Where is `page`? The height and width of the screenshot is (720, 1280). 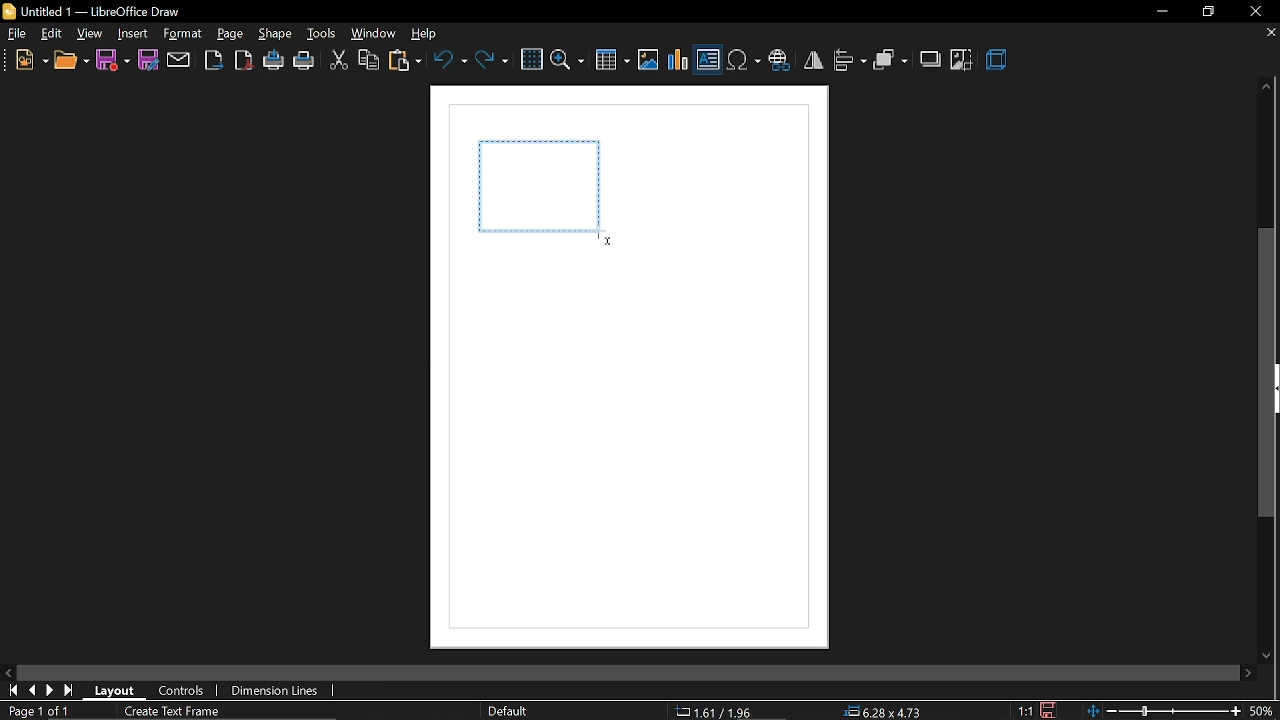 page is located at coordinates (230, 34).